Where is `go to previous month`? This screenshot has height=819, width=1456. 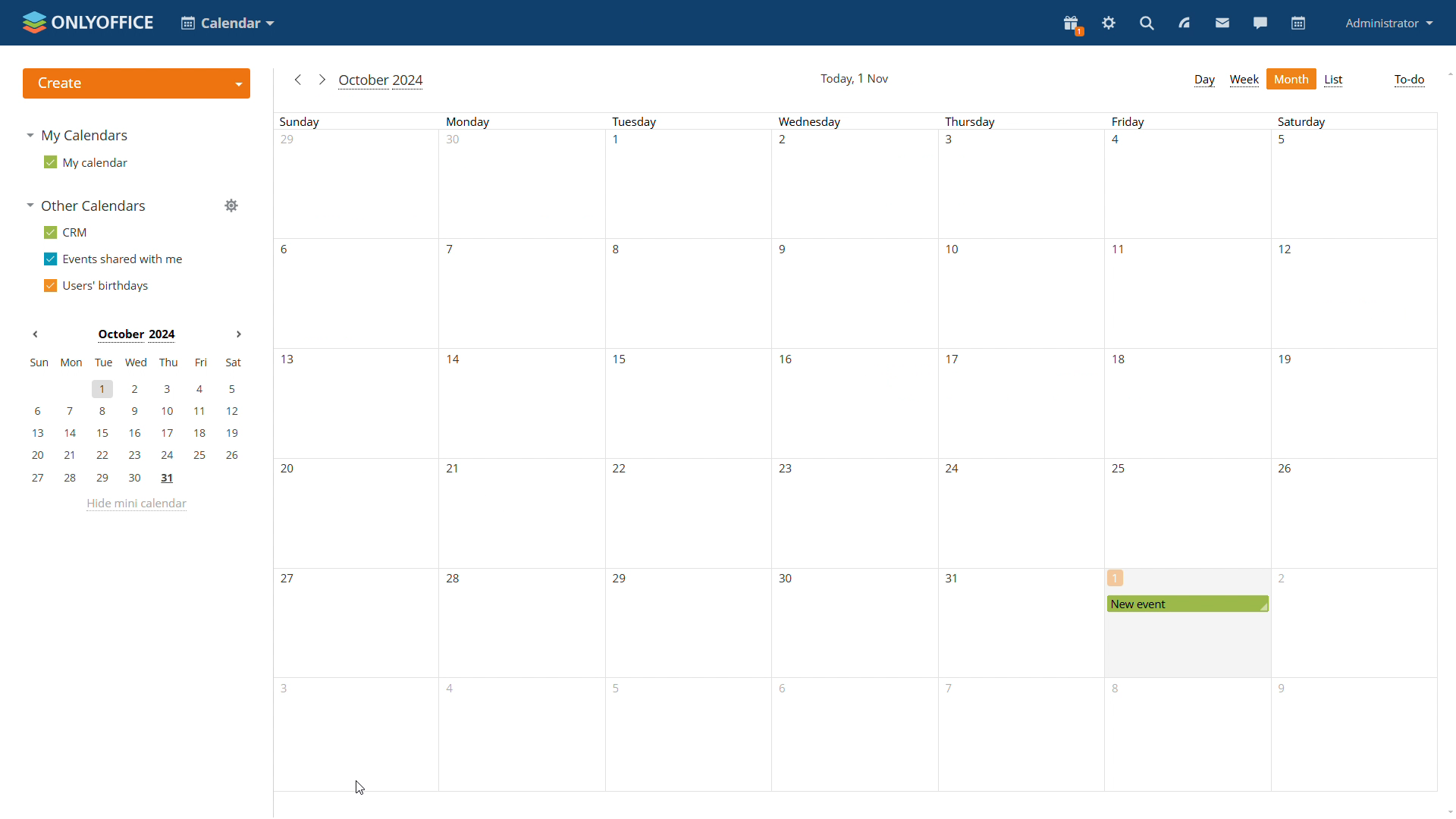
go to previous month is located at coordinates (300, 83).